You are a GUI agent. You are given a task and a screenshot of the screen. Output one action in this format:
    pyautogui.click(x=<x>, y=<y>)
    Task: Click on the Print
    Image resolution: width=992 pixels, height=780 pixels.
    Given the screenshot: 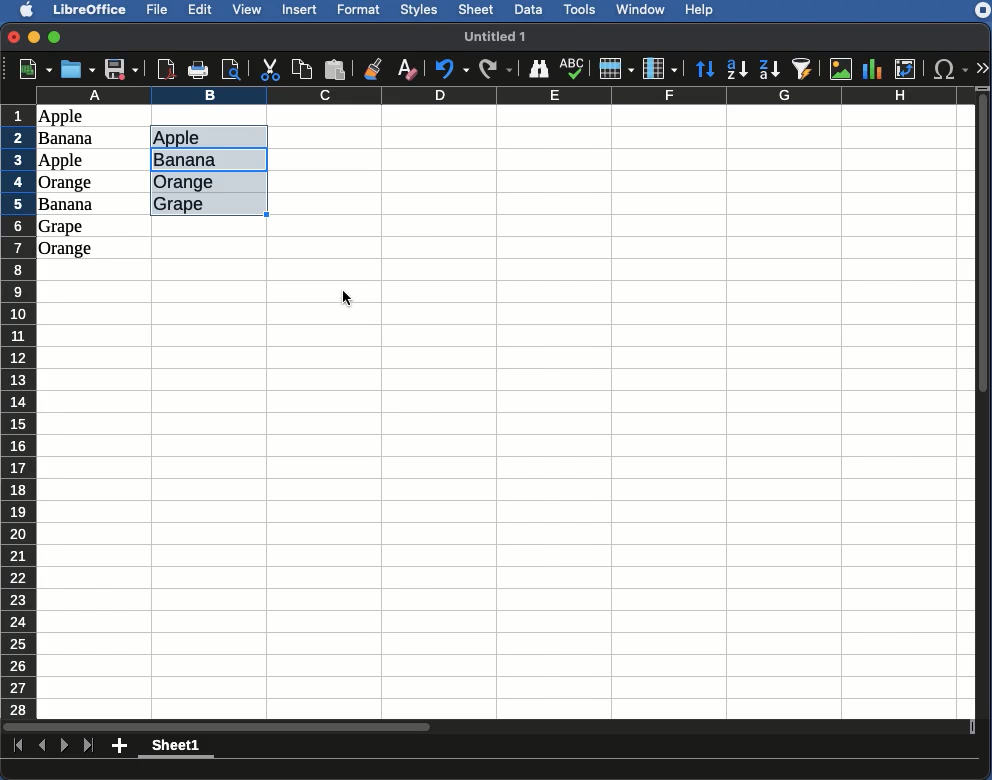 What is the action you would take?
    pyautogui.click(x=200, y=70)
    